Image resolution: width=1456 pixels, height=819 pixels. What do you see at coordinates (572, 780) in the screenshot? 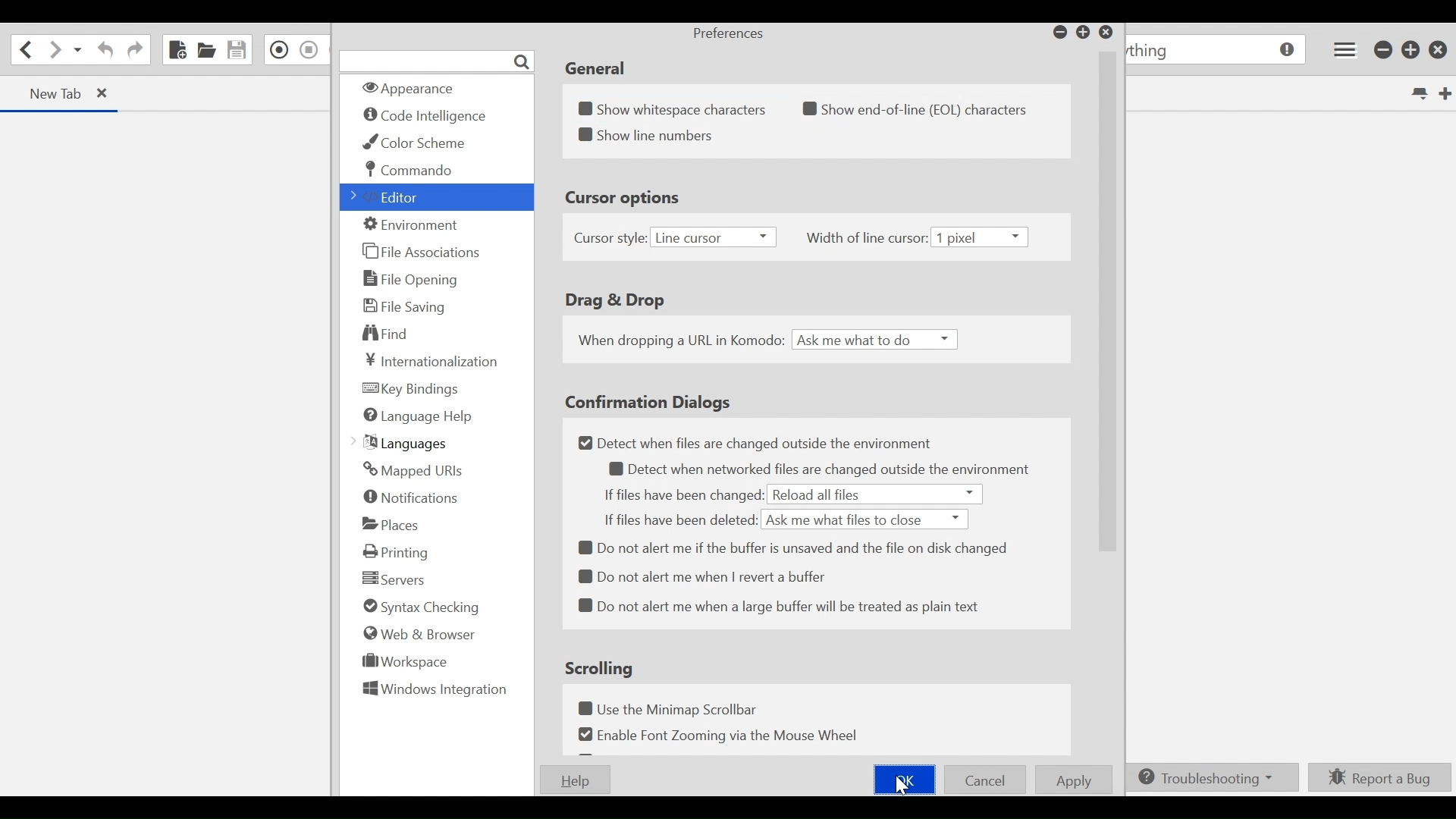
I see `Help` at bounding box center [572, 780].